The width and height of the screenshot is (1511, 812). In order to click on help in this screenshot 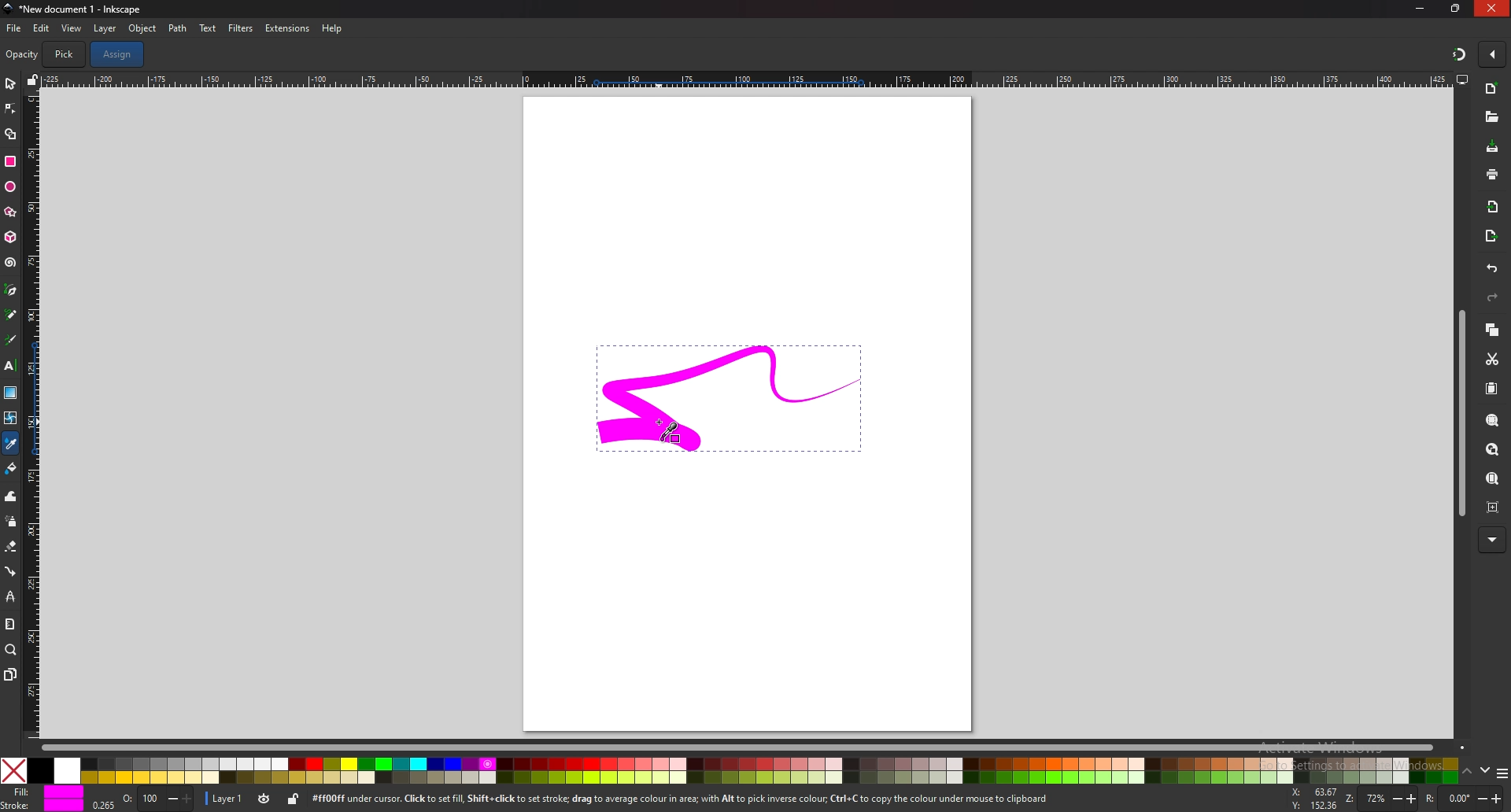, I will do `click(334, 28)`.